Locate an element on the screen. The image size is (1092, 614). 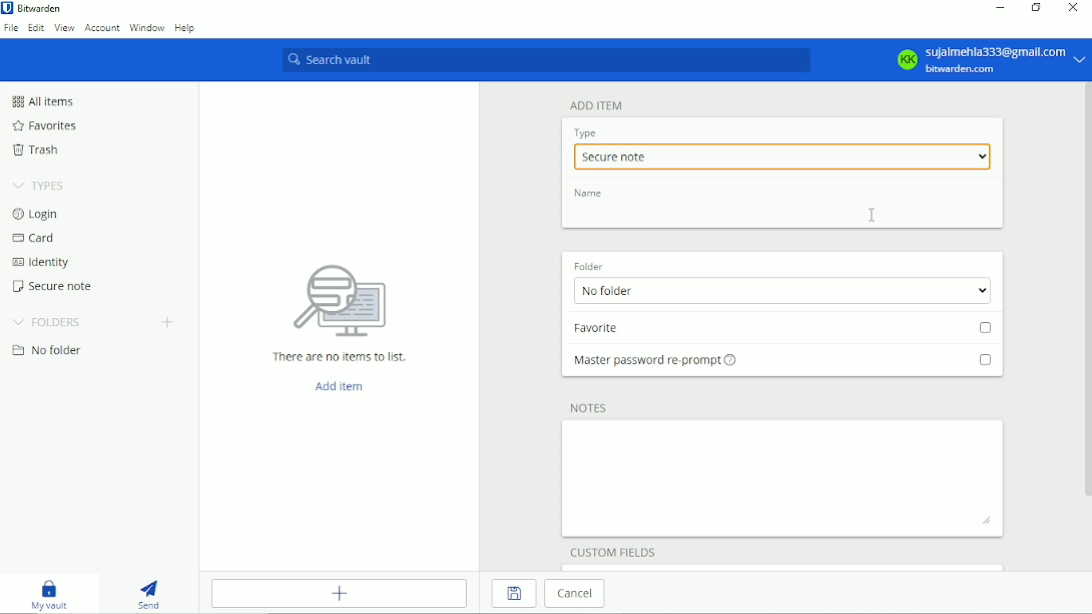
My vault is located at coordinates (49, 593).